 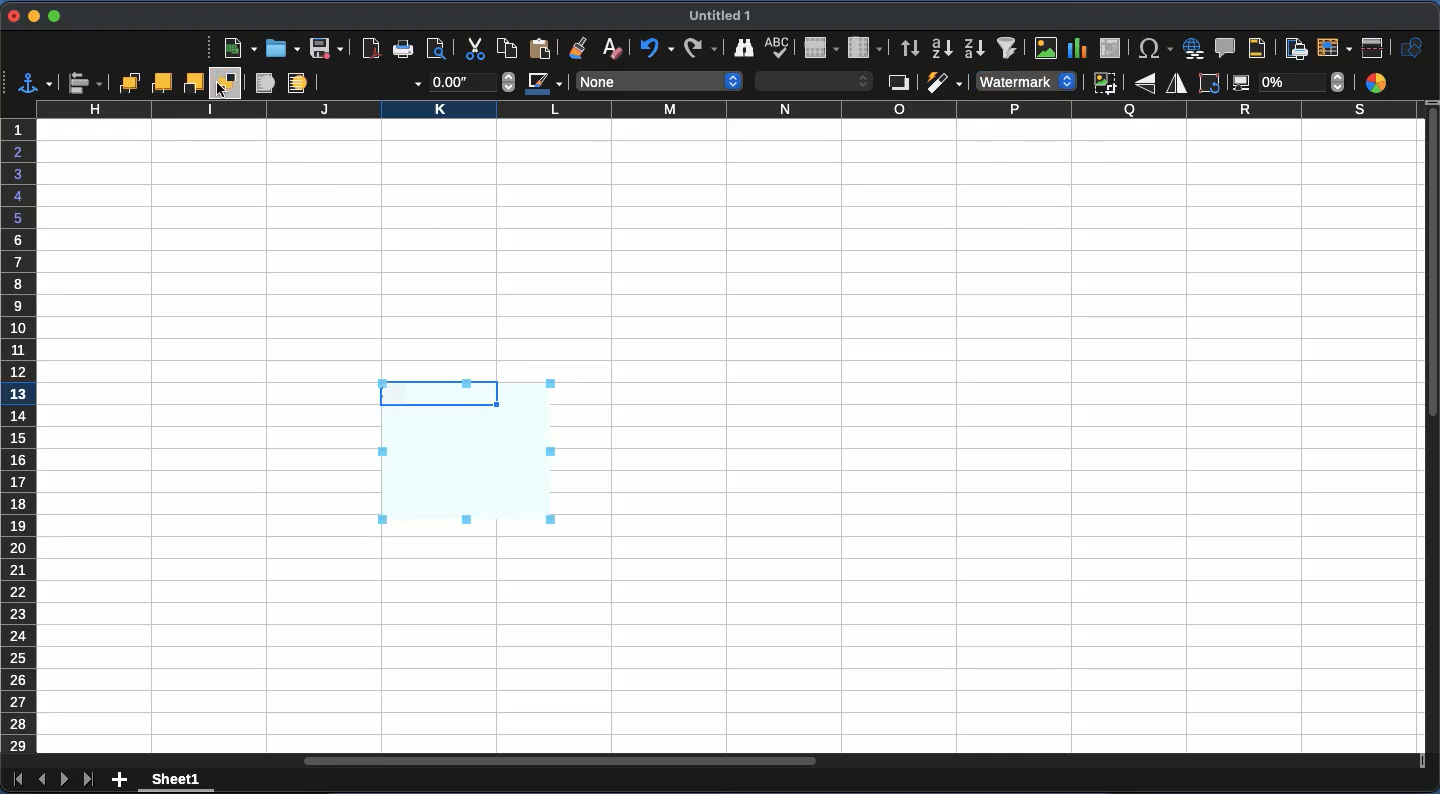 What do you see at coordinates (85, 84) in the screenshot?
I see `align objects` at bounding box center [85, 84].